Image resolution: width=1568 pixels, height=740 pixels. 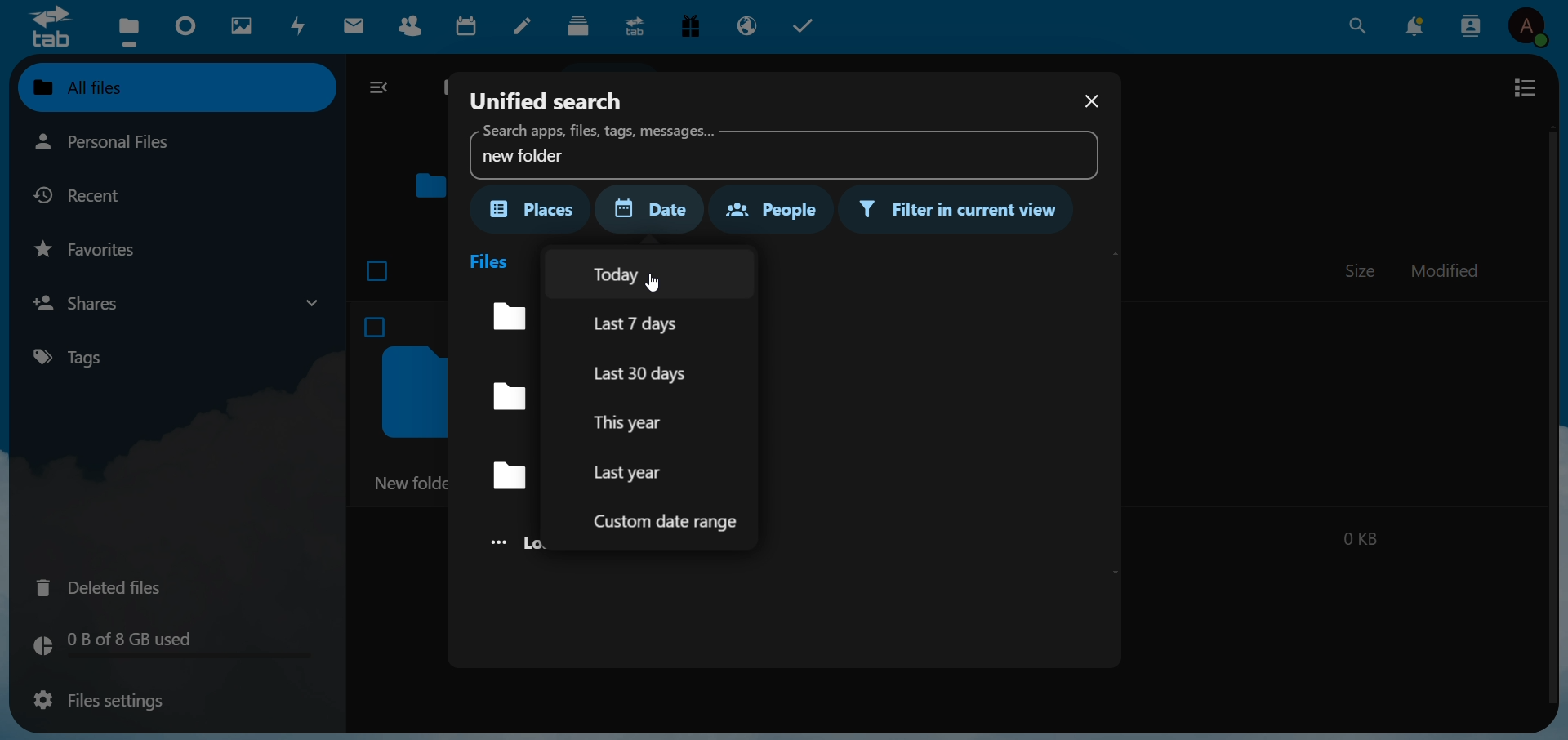 I want to click on user, so click(x=1533, y=29).